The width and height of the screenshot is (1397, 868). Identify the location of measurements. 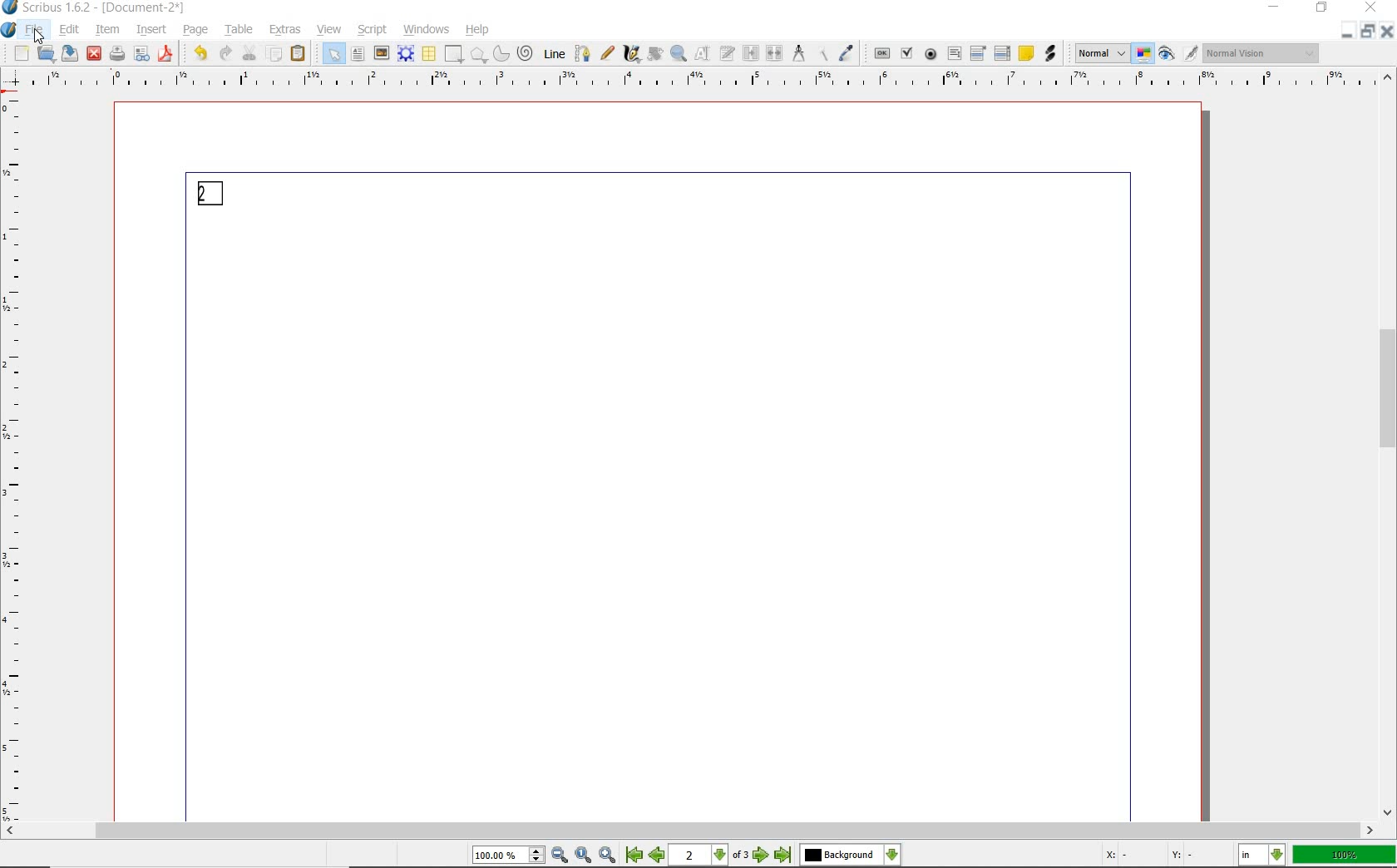
(800, 55).